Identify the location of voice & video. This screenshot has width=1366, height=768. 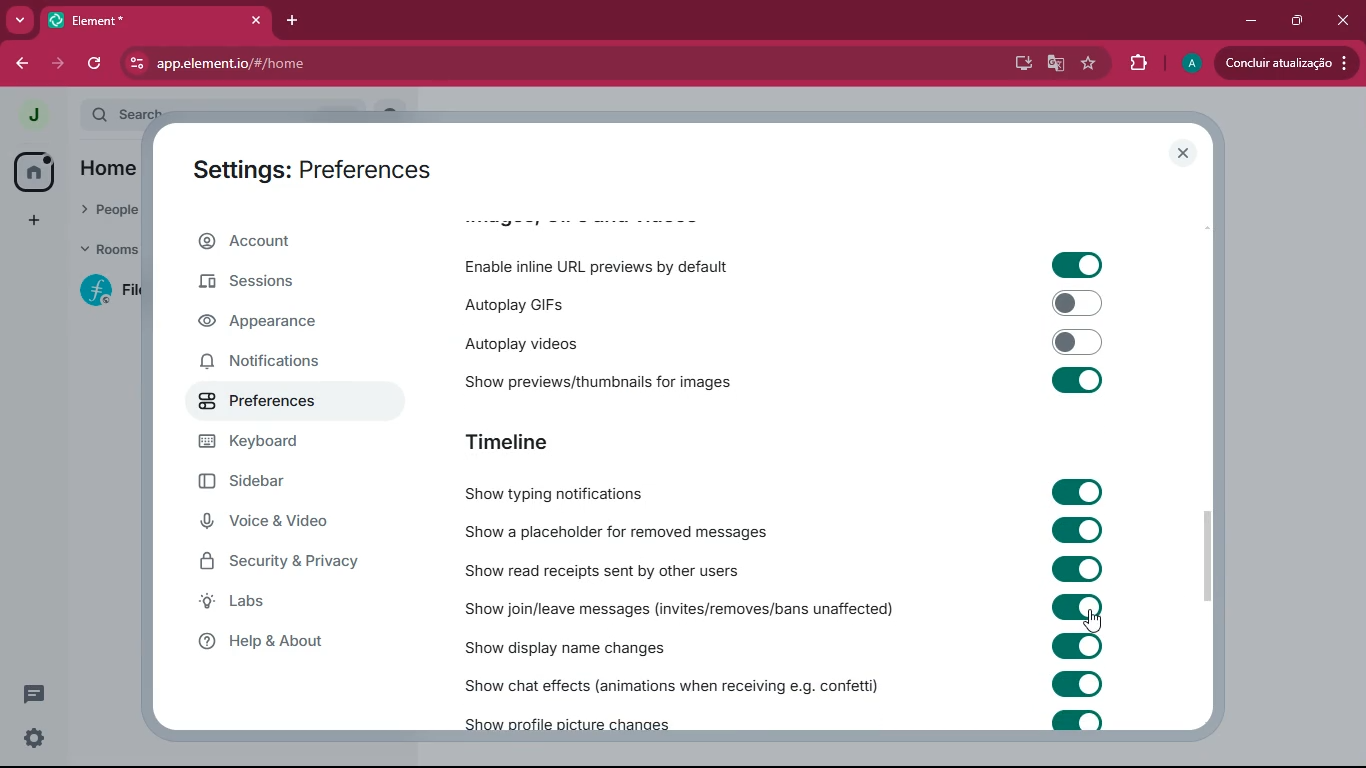
(270, 524).